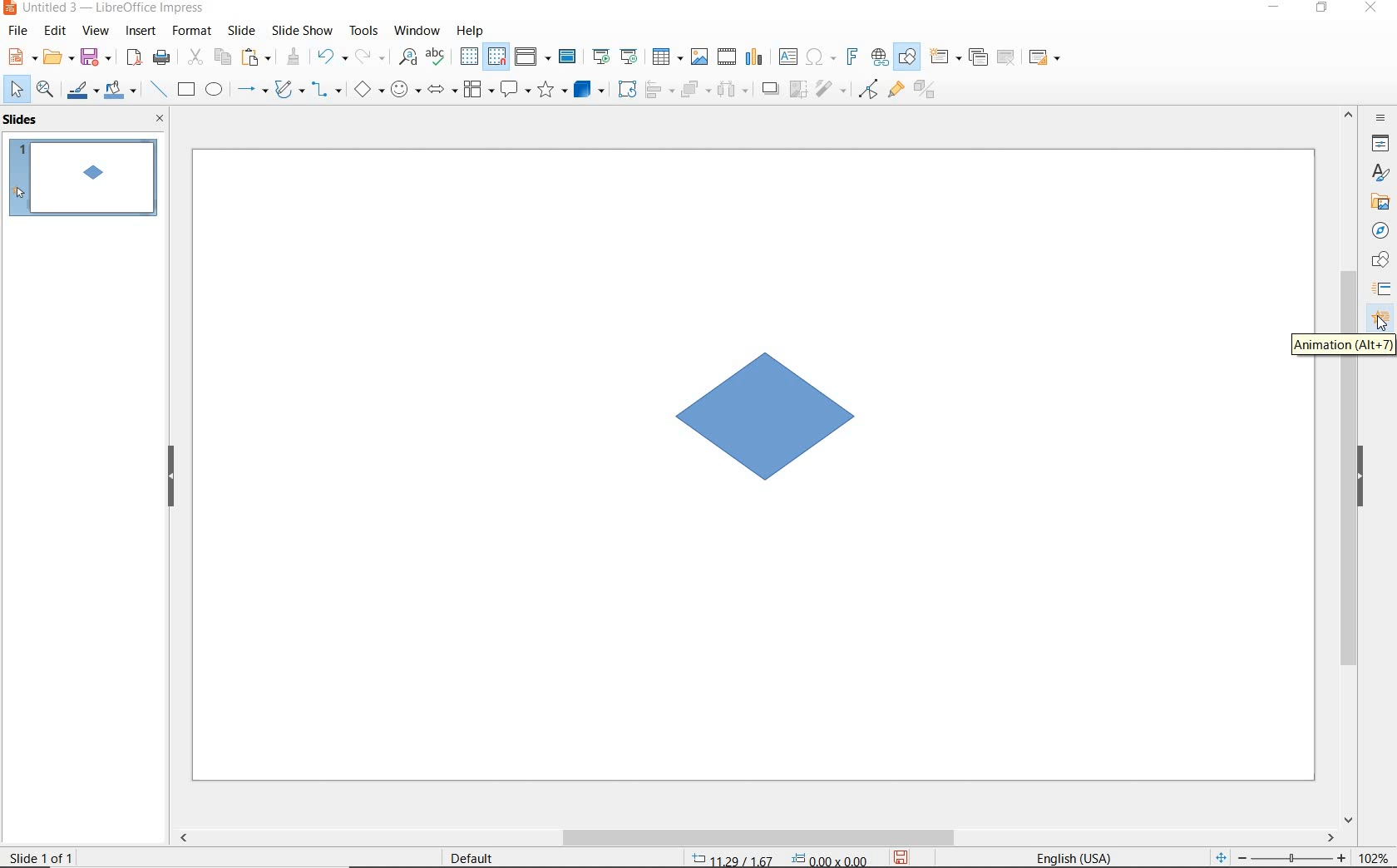  Describe the element at coordinates (17, 91) in the screenshot. I see `select` at that location.